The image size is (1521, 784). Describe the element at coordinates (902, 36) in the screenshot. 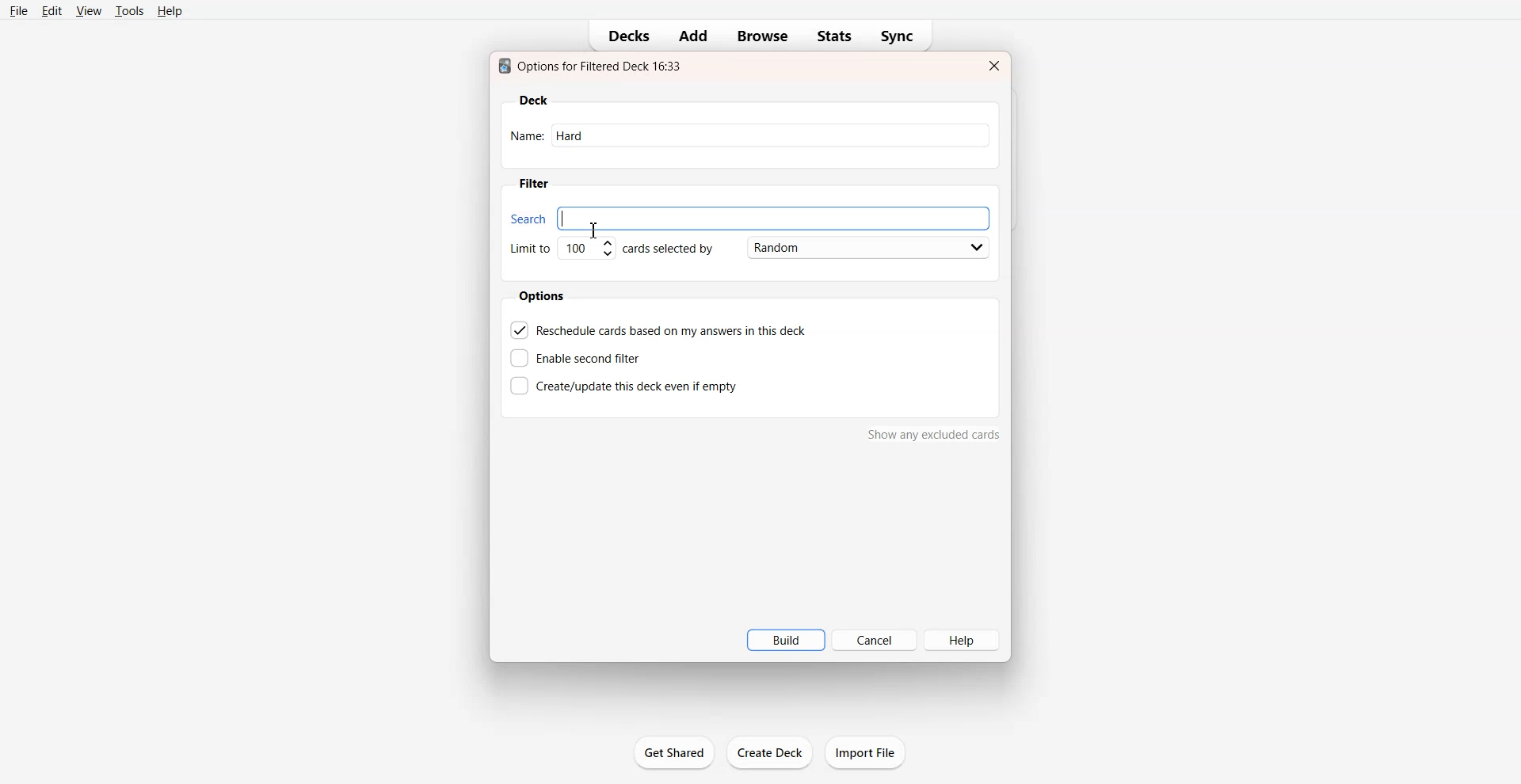

I see `Sync` at that location.